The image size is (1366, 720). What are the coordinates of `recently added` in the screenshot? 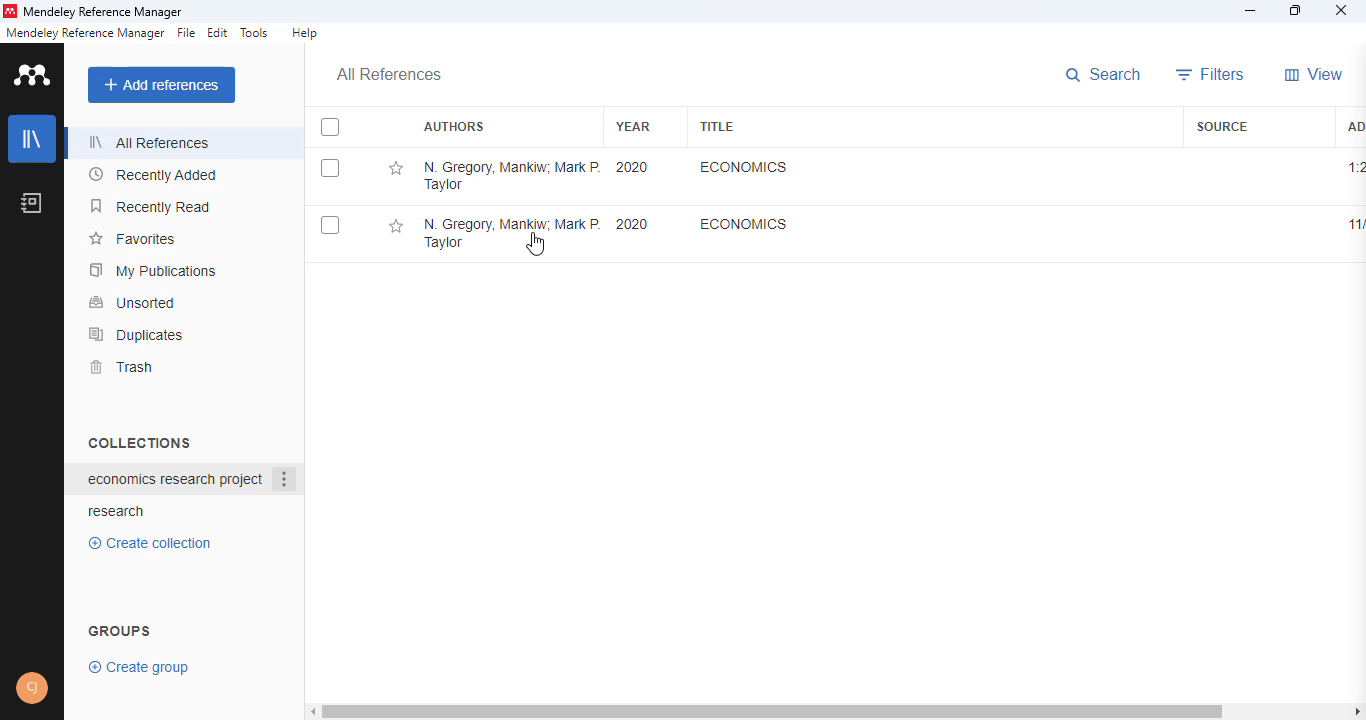 It's located at (154, 175).